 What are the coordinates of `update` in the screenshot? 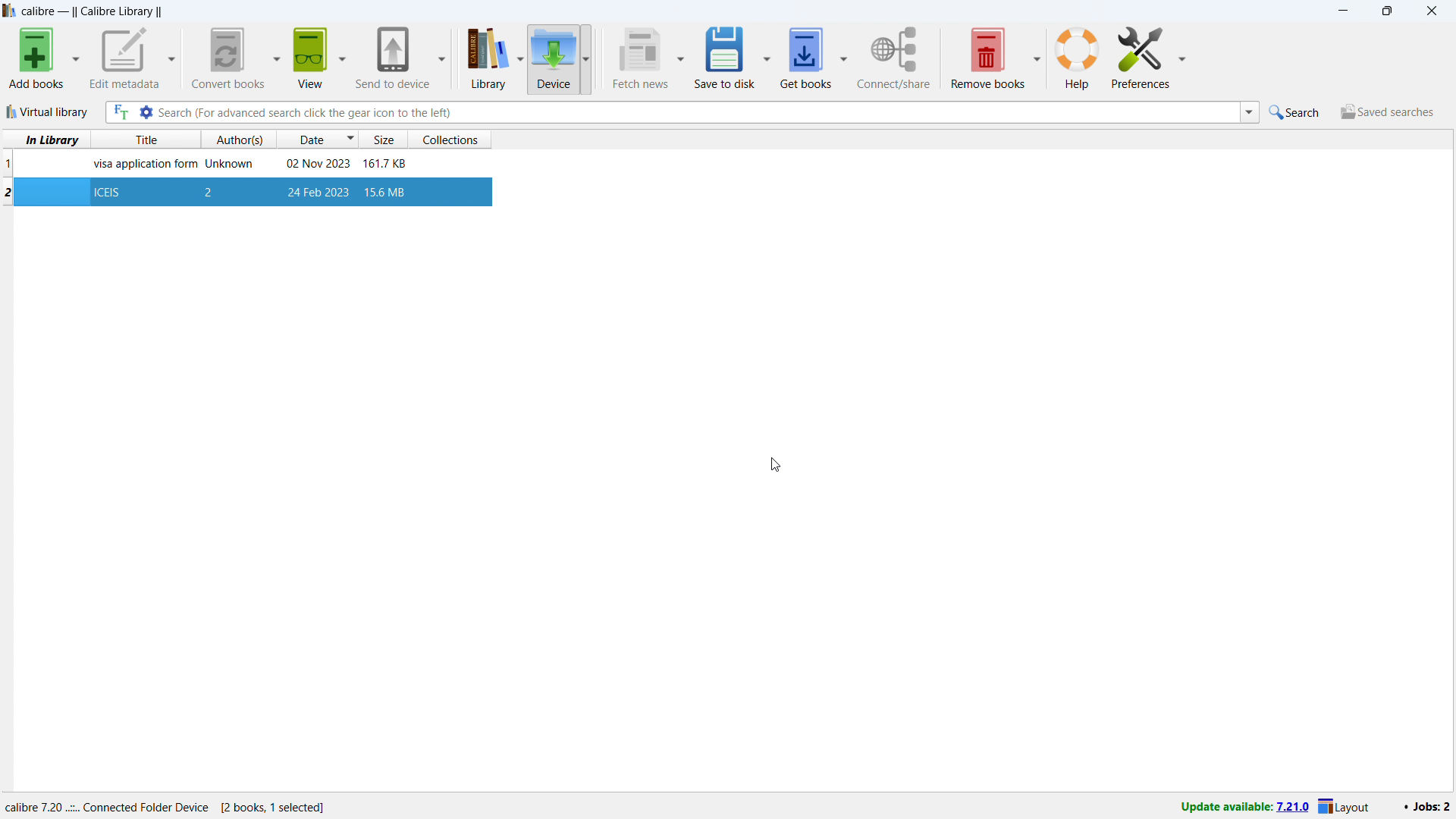 It's located at (1244, 807).